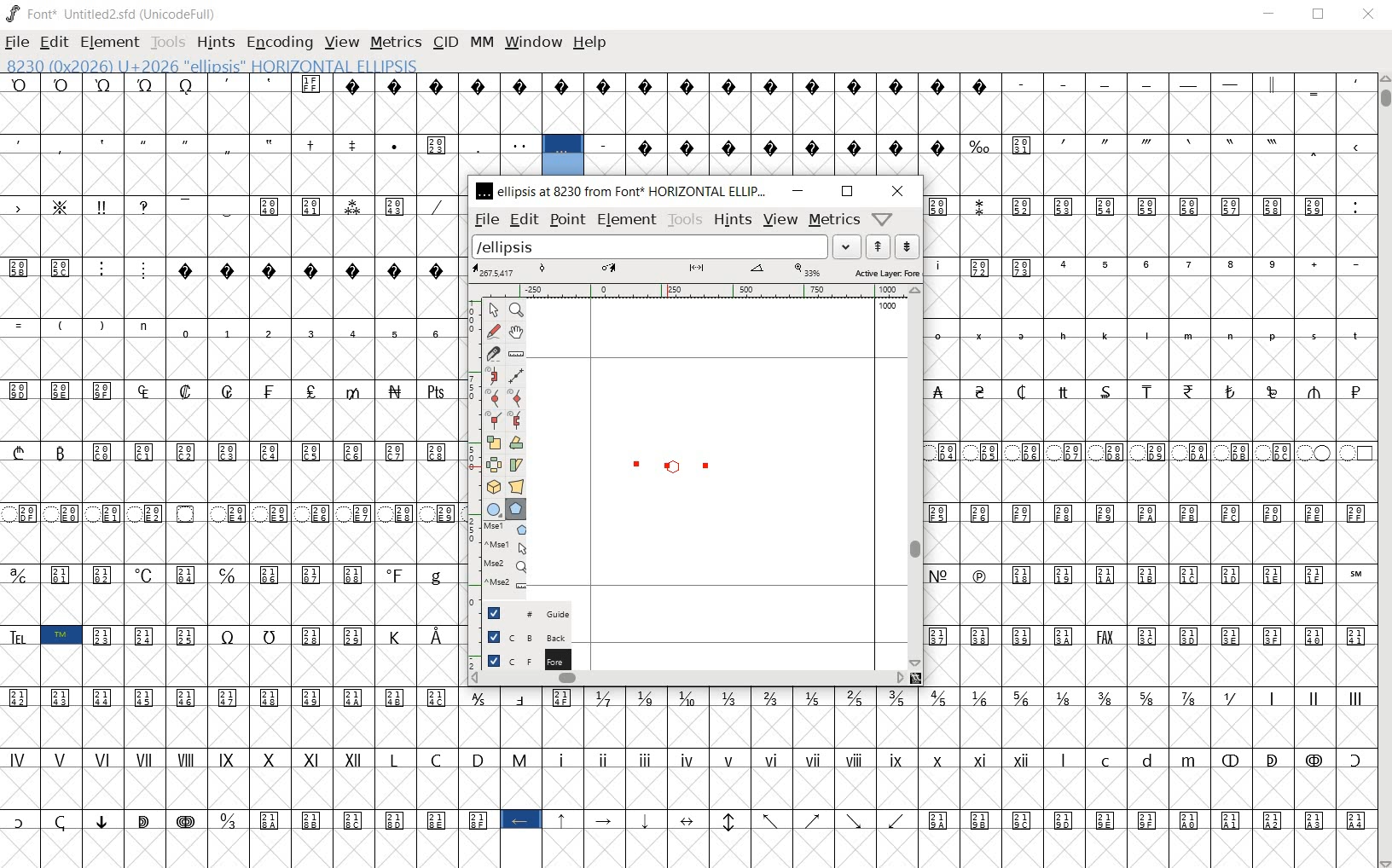  I want to click on WINDOW, so click(532, 41).